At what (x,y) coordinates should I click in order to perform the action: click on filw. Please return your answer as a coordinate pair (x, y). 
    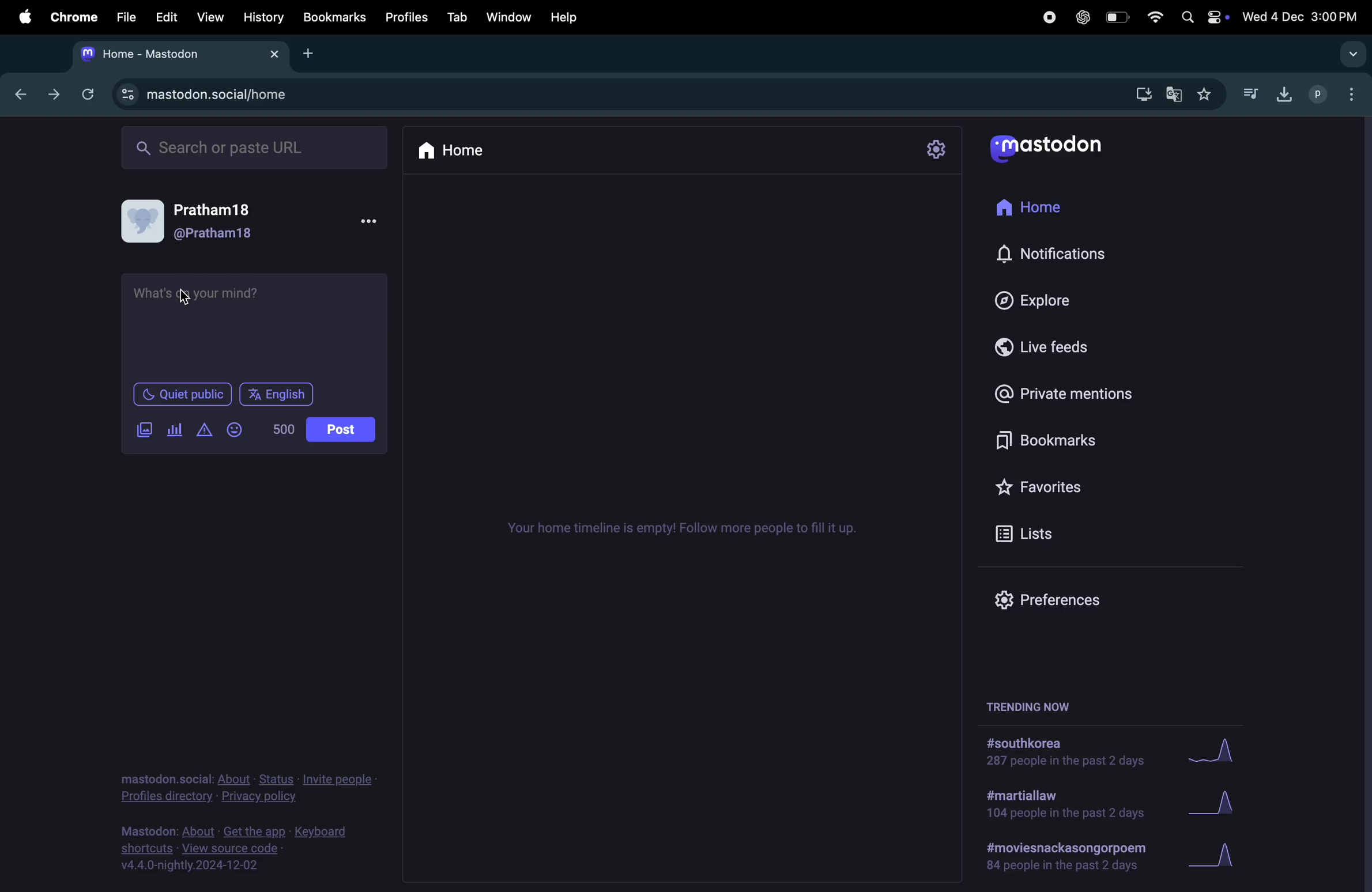
    Looking at the image, I should click on (122, 17).